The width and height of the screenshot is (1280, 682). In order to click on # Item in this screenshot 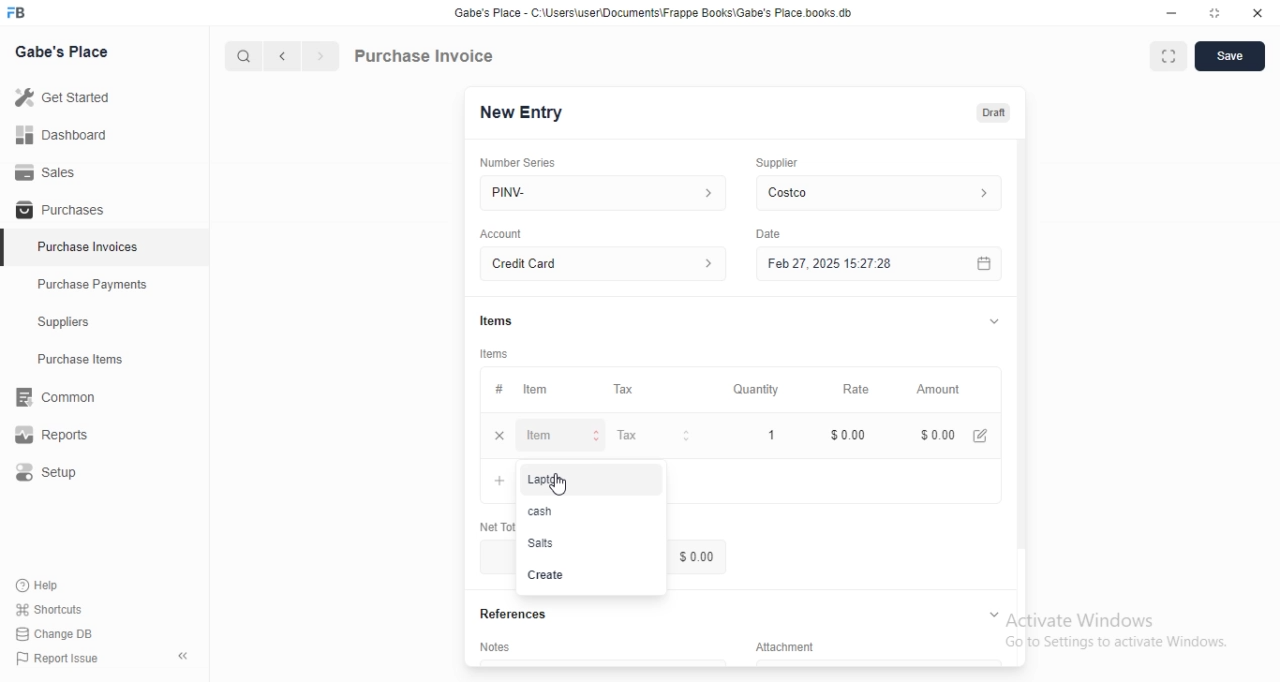, I will do `click(544, 390)`.